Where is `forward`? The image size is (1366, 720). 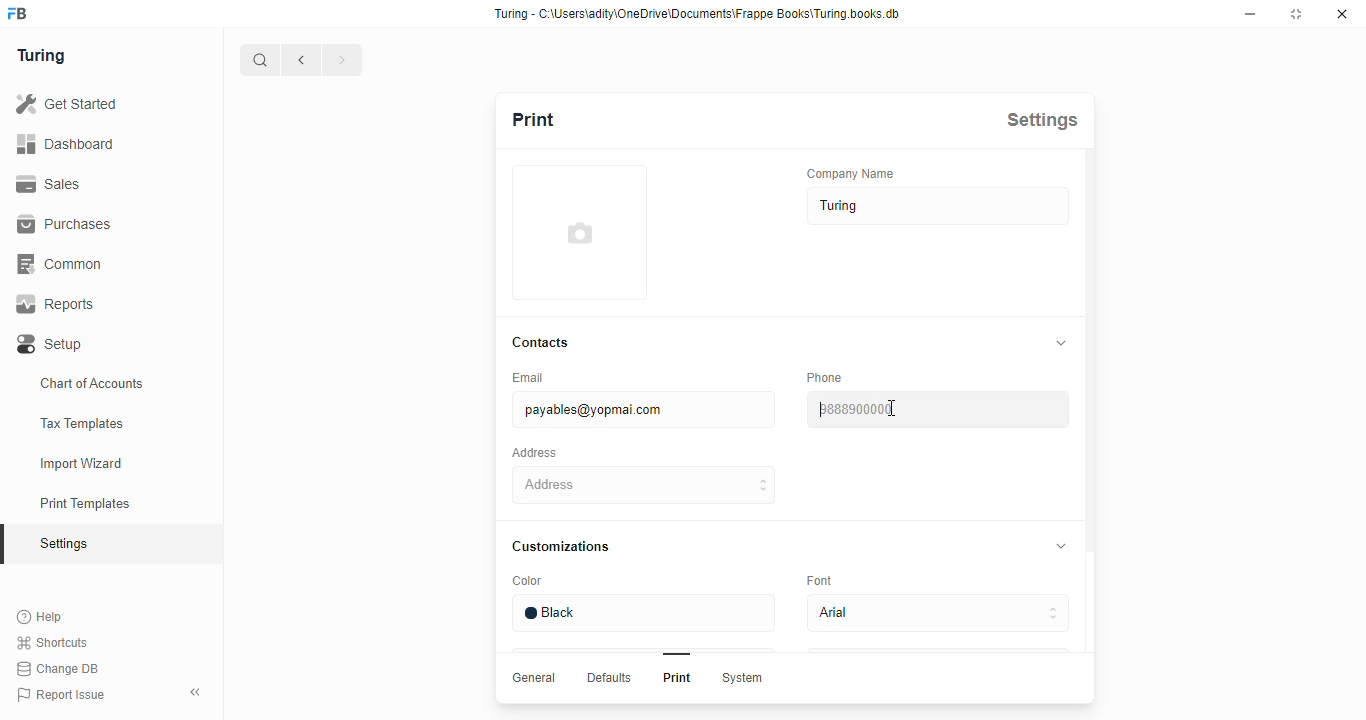
forward is located at coordinates (343, 59).